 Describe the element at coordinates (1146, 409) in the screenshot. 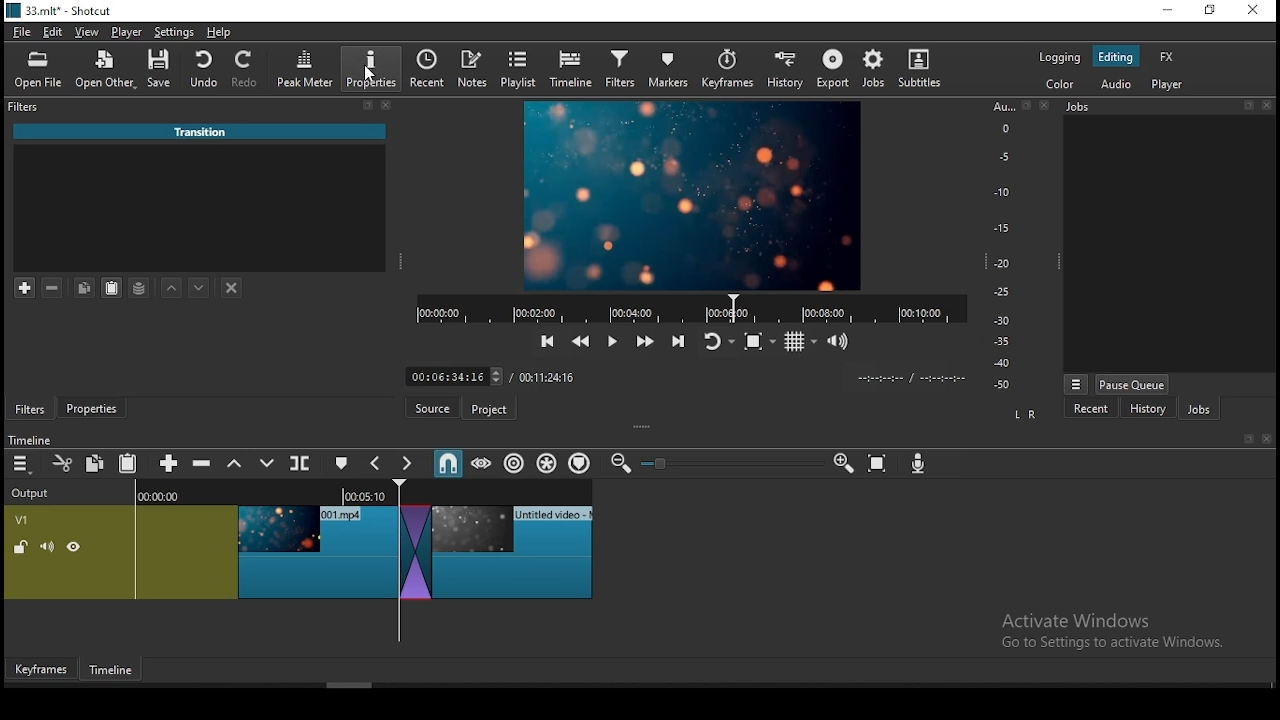

I see `history` at that location.